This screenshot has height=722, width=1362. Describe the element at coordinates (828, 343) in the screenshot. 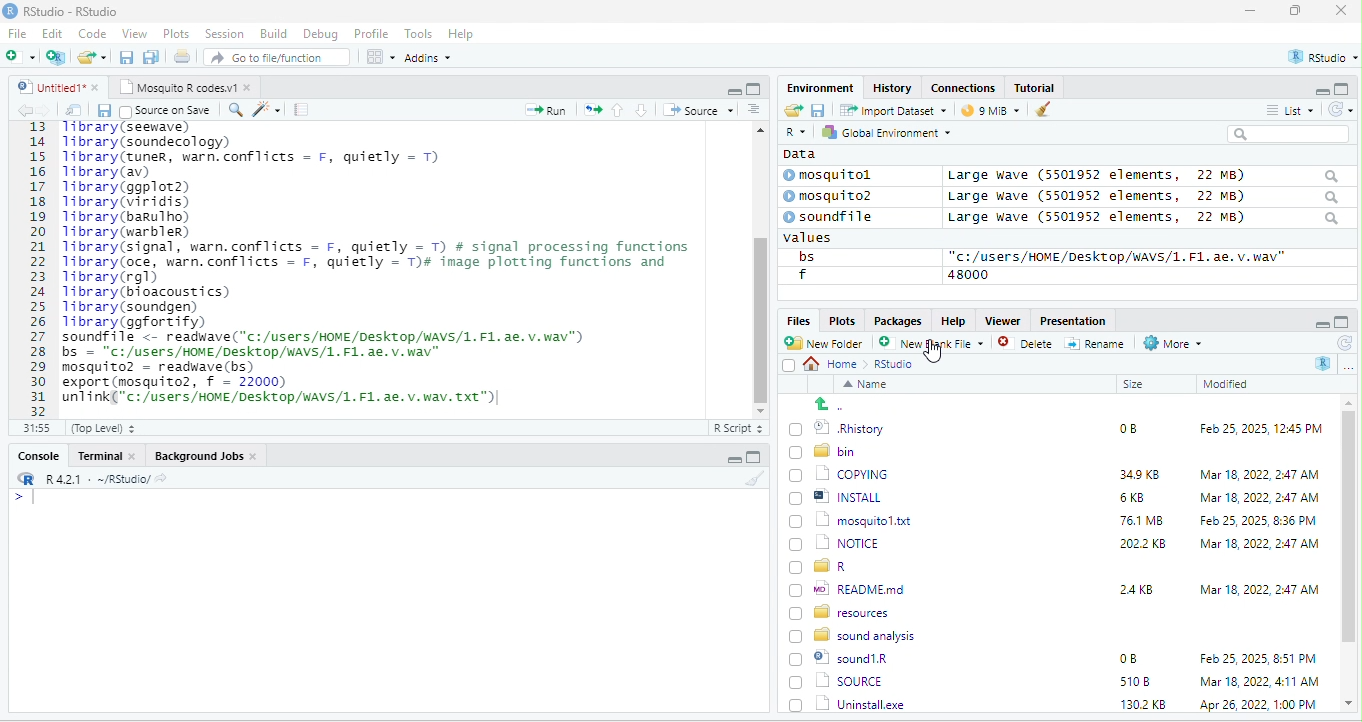

I see `New Folder` at that location.